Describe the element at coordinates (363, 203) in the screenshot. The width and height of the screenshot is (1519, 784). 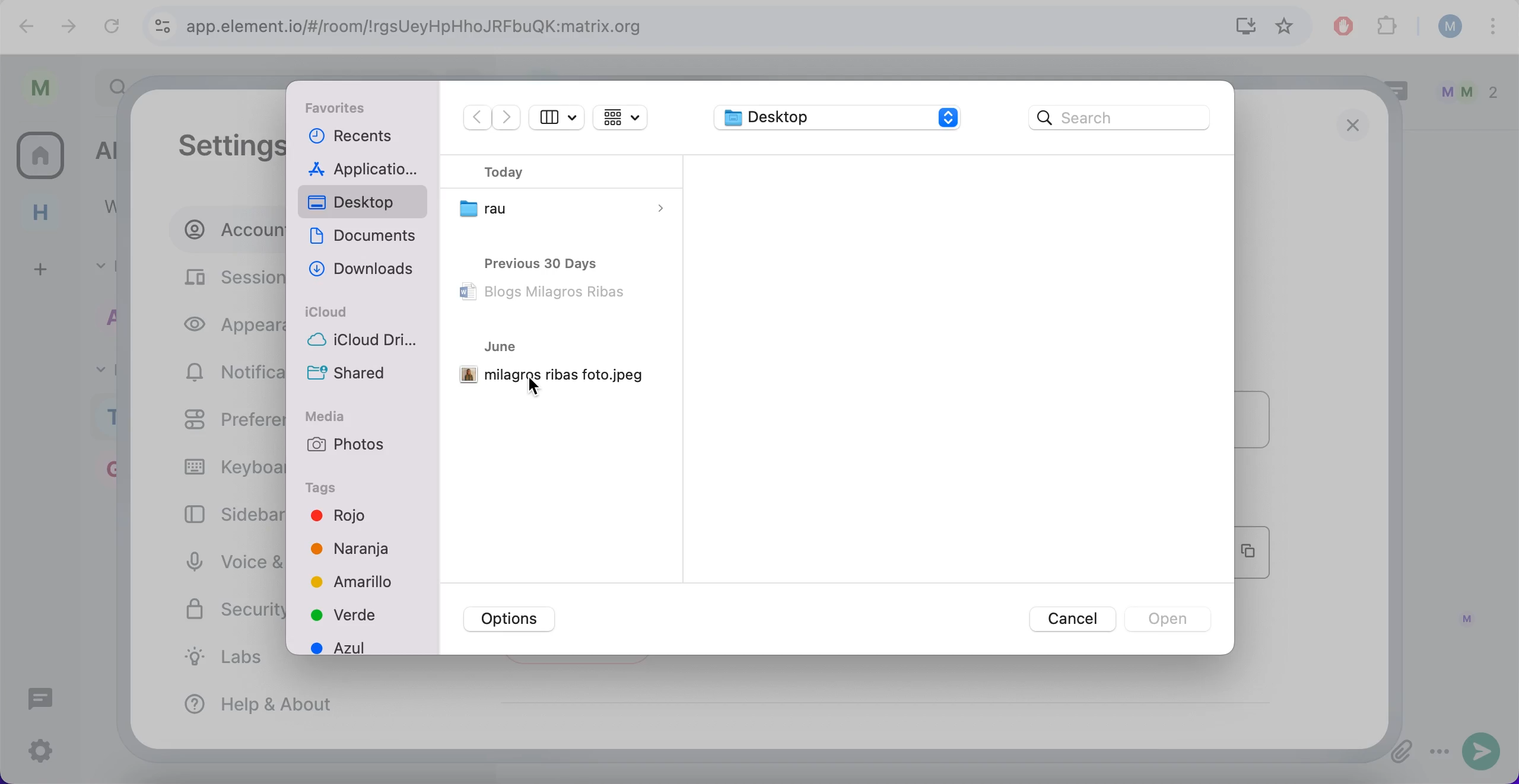
I see `desktop` at that location.